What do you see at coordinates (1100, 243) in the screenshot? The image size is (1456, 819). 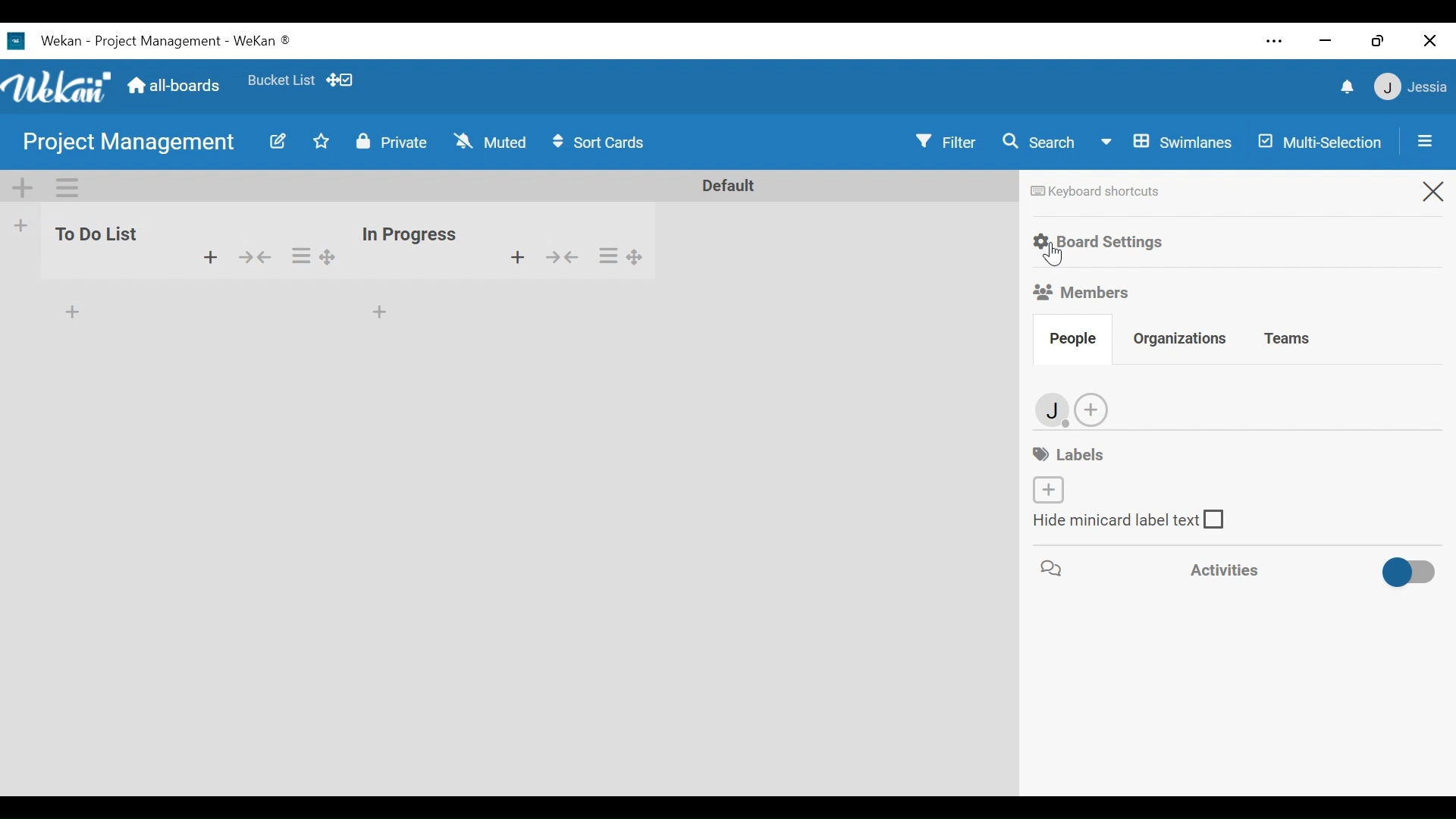 I see `Board Settings` at bounding box center [1100, 243].